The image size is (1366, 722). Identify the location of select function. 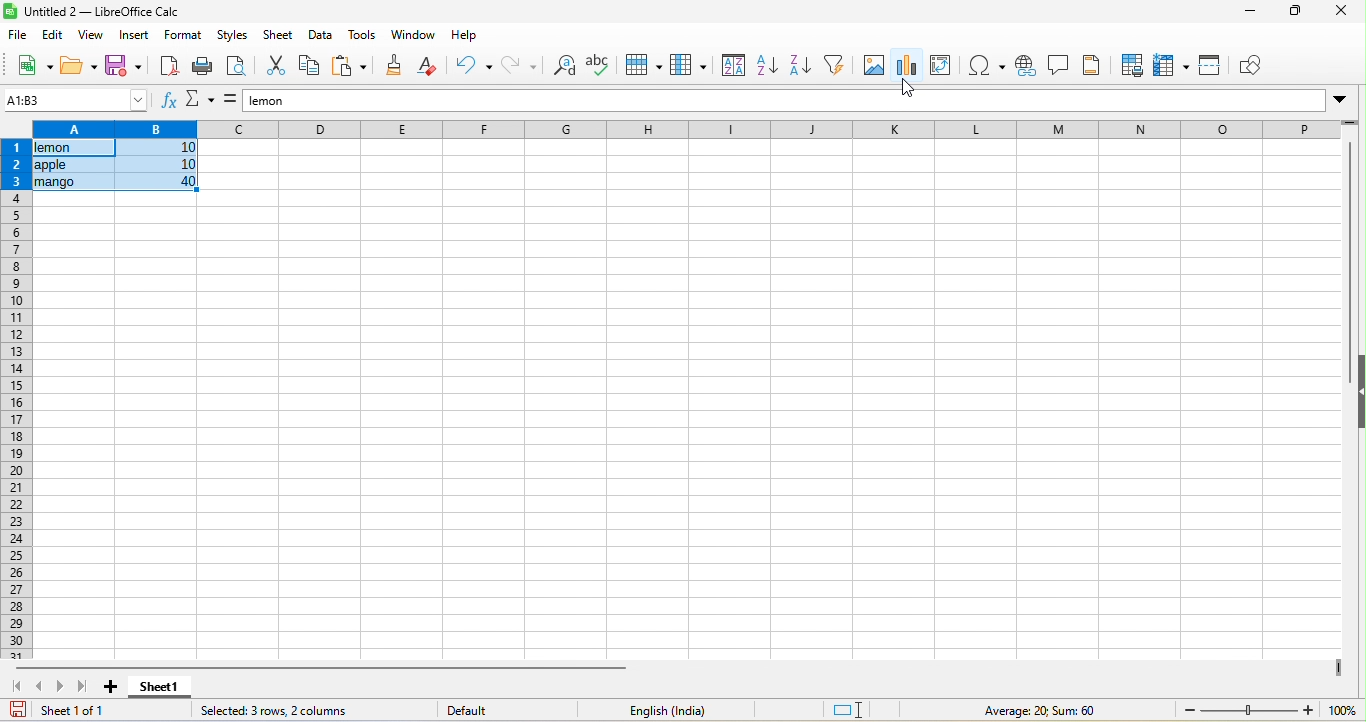
(199, 102).